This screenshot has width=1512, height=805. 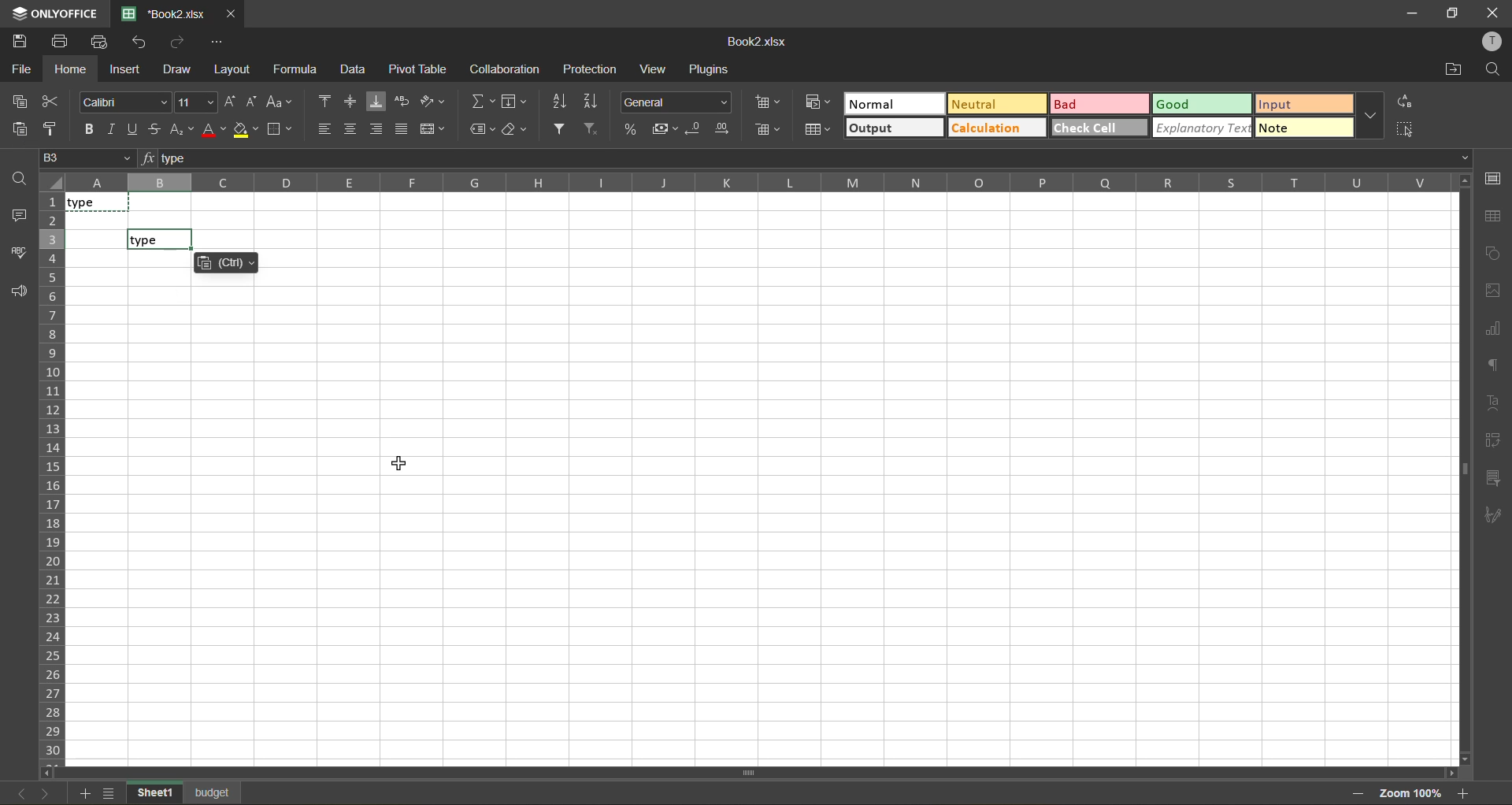 I want to click on previous, so click(x=22, y=793).